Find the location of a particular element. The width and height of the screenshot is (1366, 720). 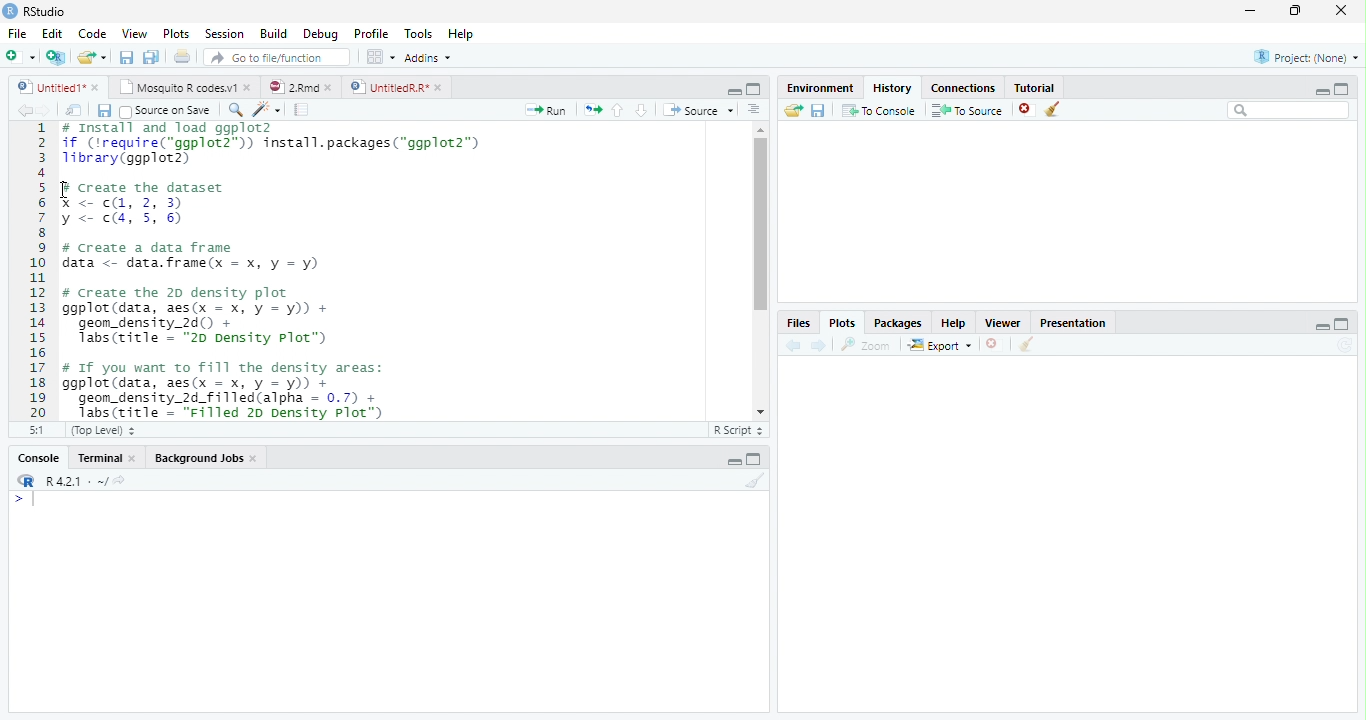

close is located at coordinates (256, 460).